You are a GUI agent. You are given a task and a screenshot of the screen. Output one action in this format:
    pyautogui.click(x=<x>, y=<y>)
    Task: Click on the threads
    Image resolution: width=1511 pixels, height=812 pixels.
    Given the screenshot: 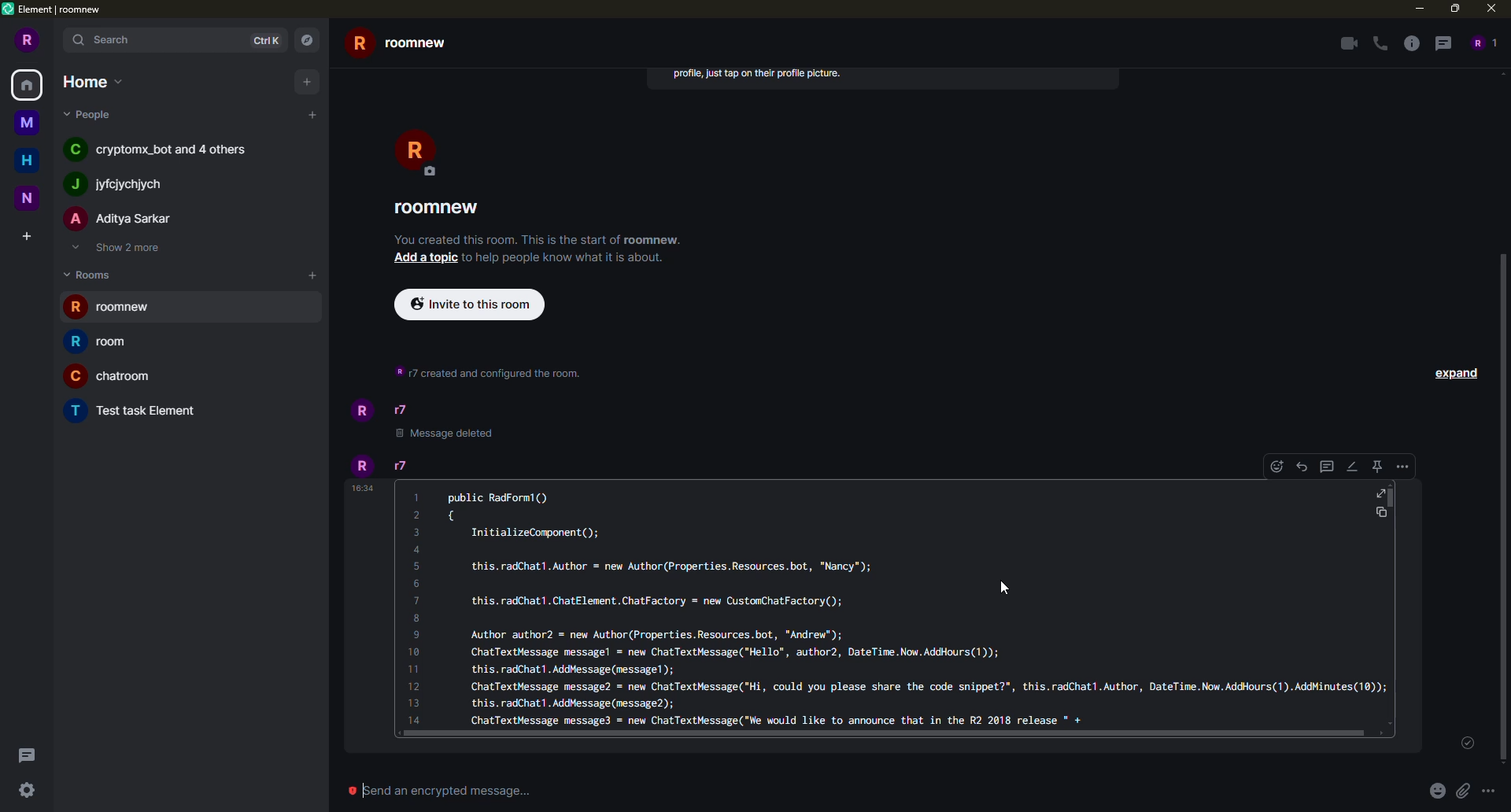 What is the action you would take?
    pyautogui.click(x=25, y=754)
    